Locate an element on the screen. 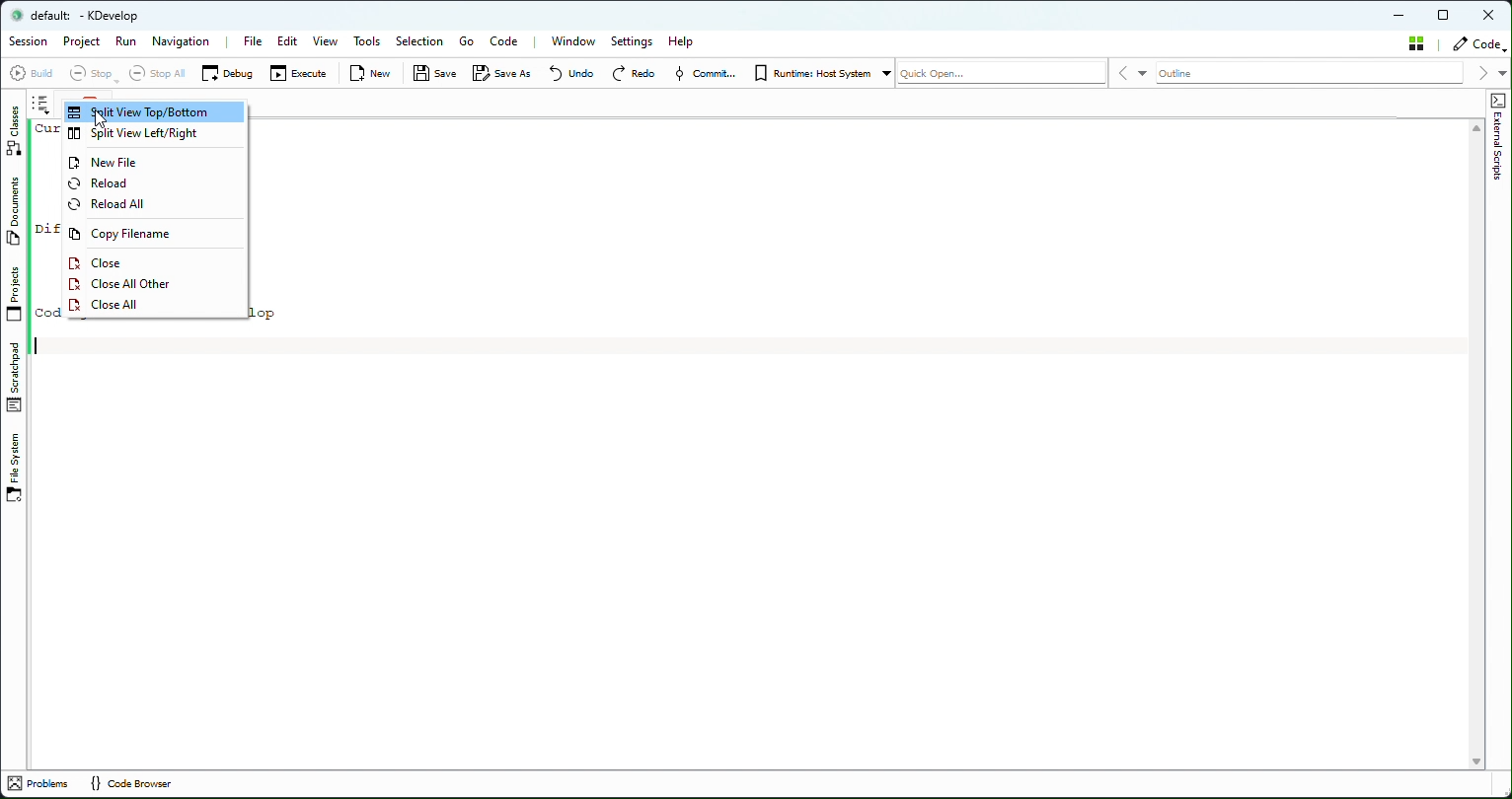 The image size is (1512, 799). Debug is located at coordinates (228, 74).